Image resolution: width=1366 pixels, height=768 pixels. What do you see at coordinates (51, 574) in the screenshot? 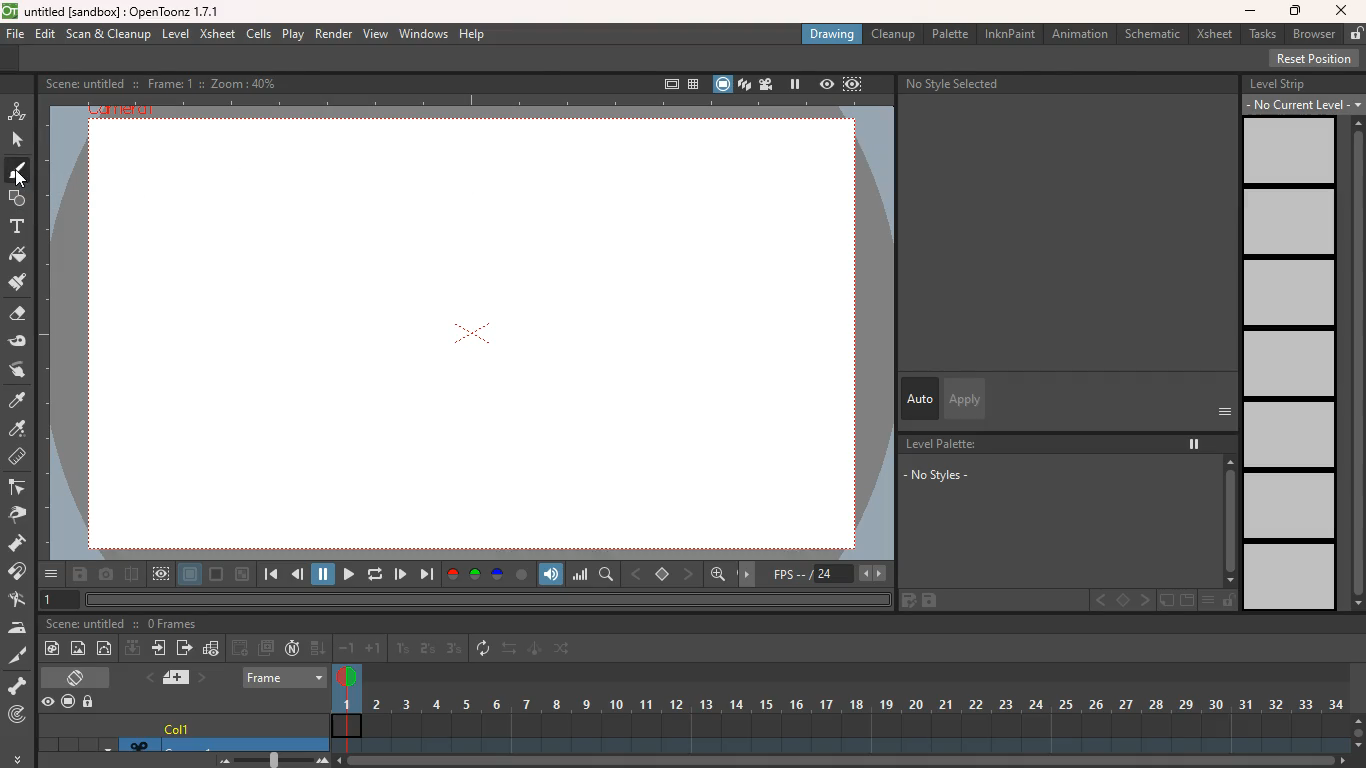
I see `more` at bounding box center [51, 574].